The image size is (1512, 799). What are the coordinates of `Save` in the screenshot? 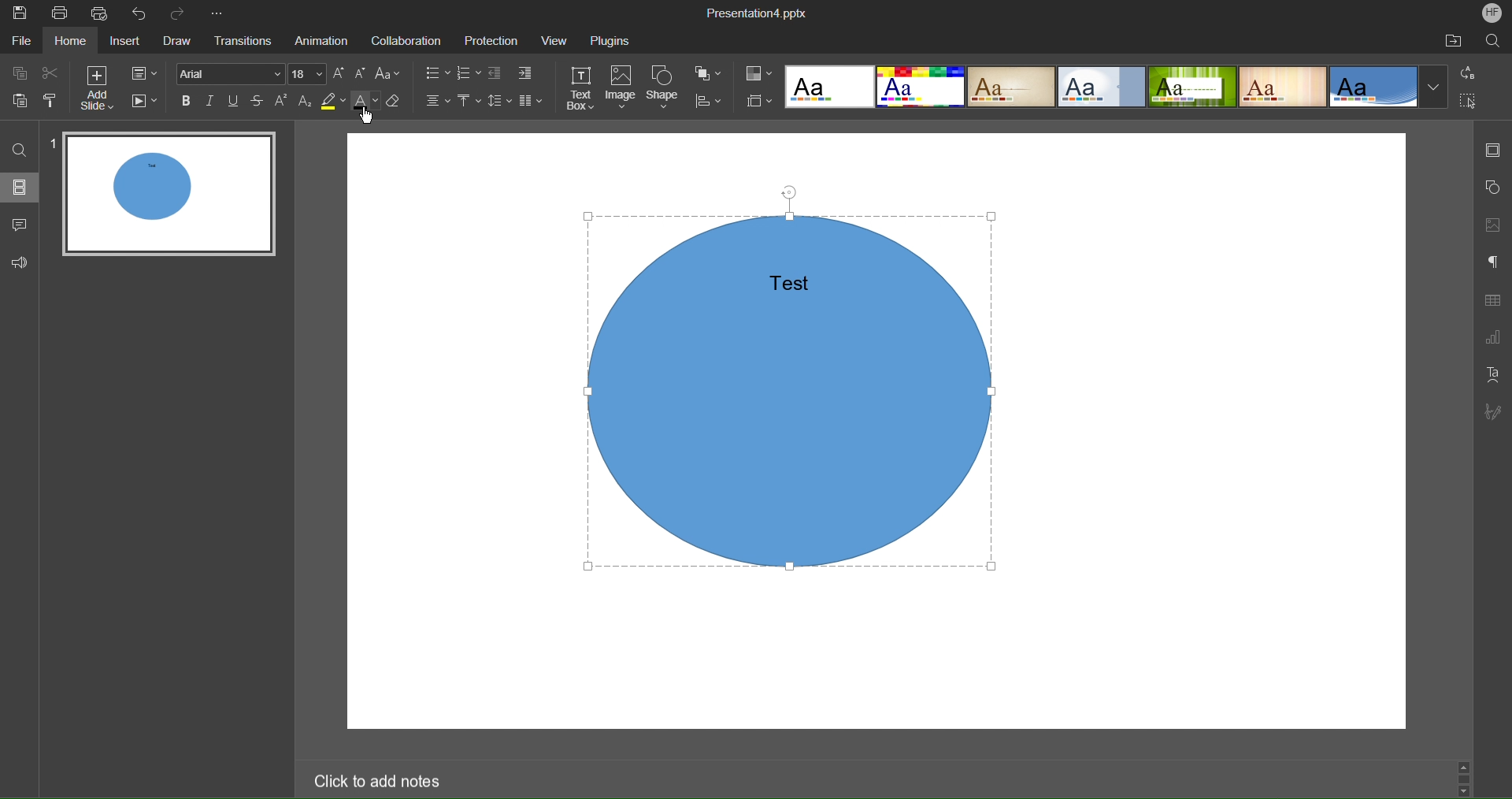 It's located at (20, 13).